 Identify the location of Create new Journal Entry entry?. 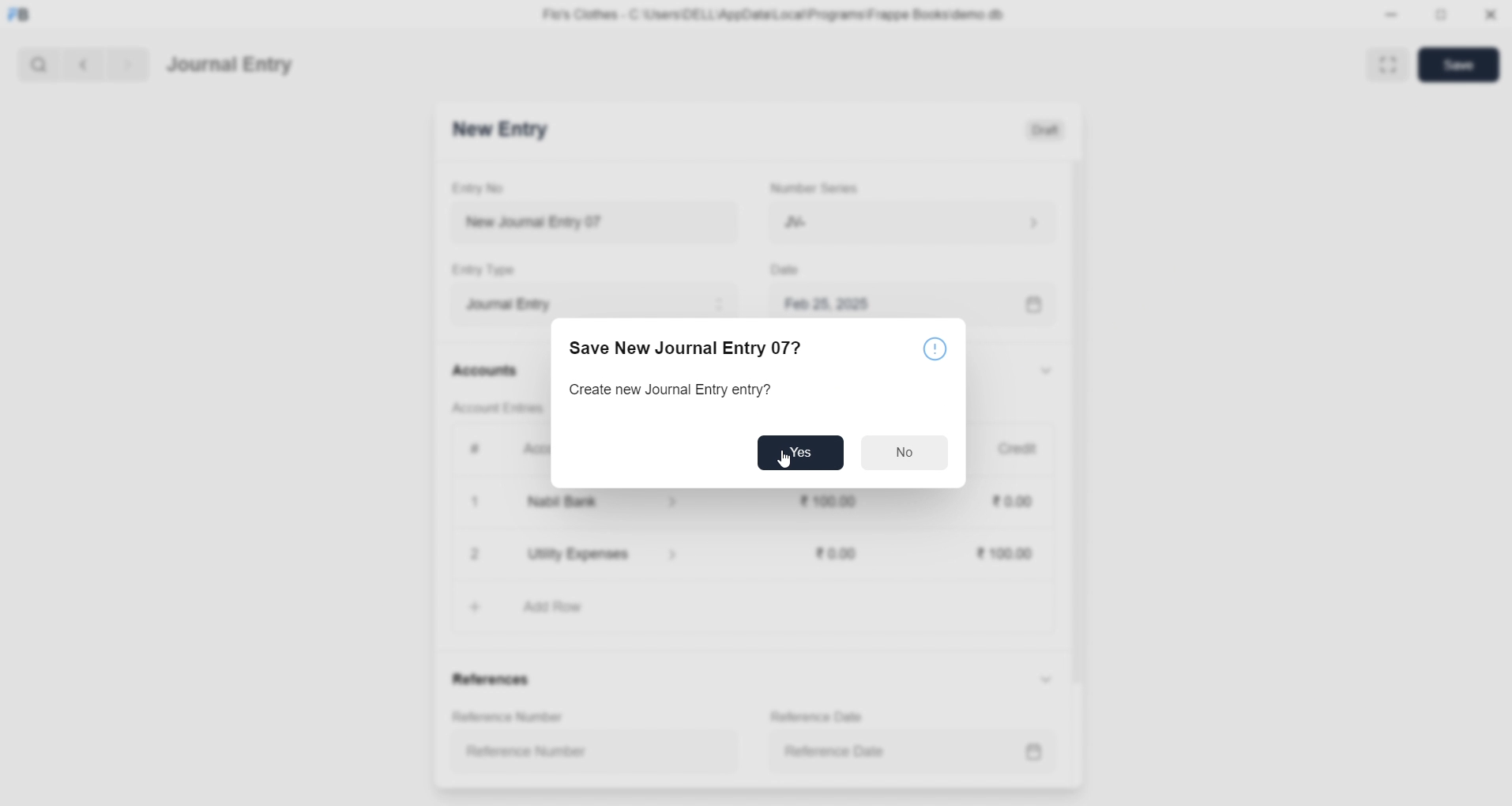
(674, 392).